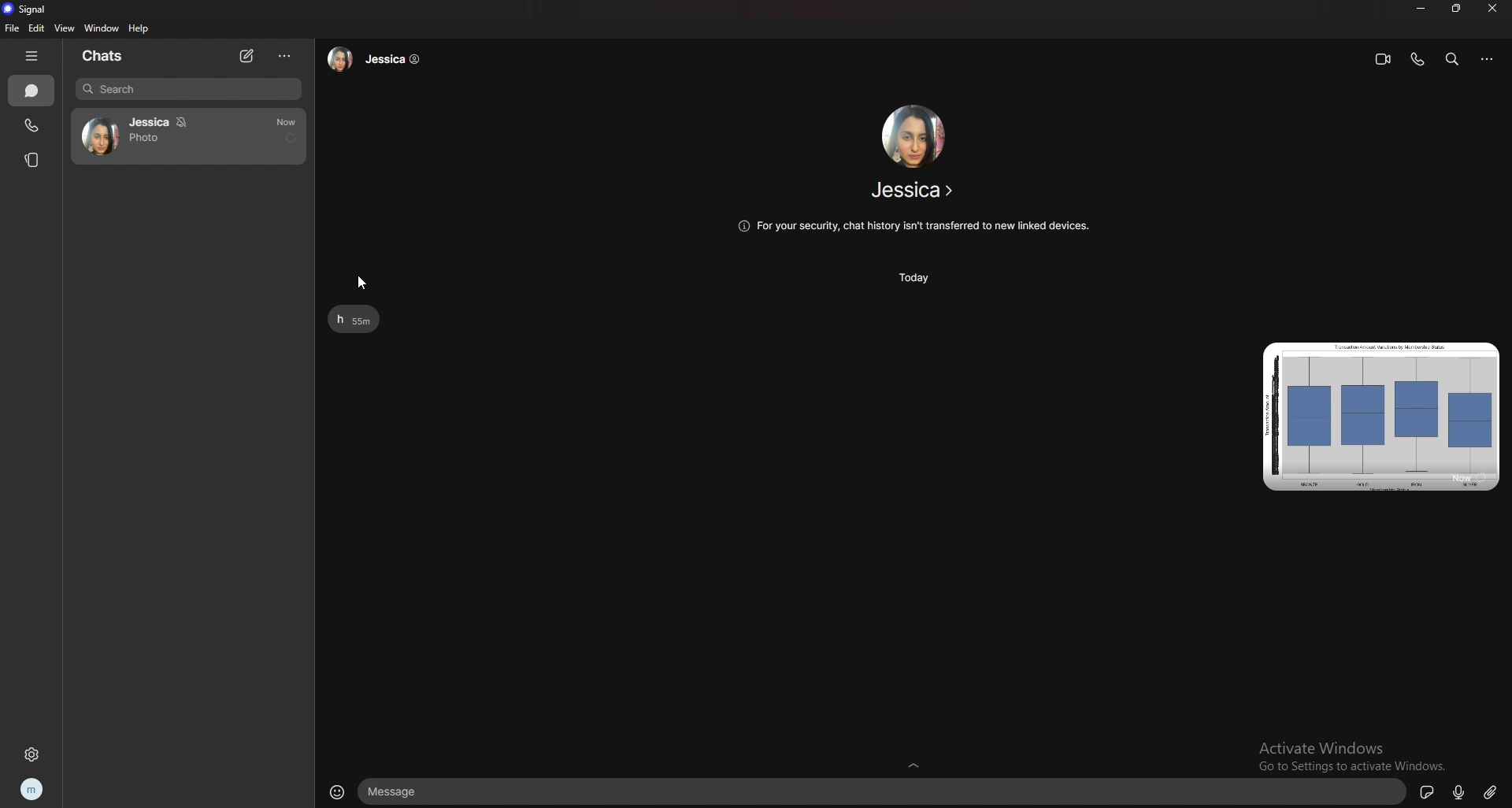  I want to click on chats, so click(109, 57).